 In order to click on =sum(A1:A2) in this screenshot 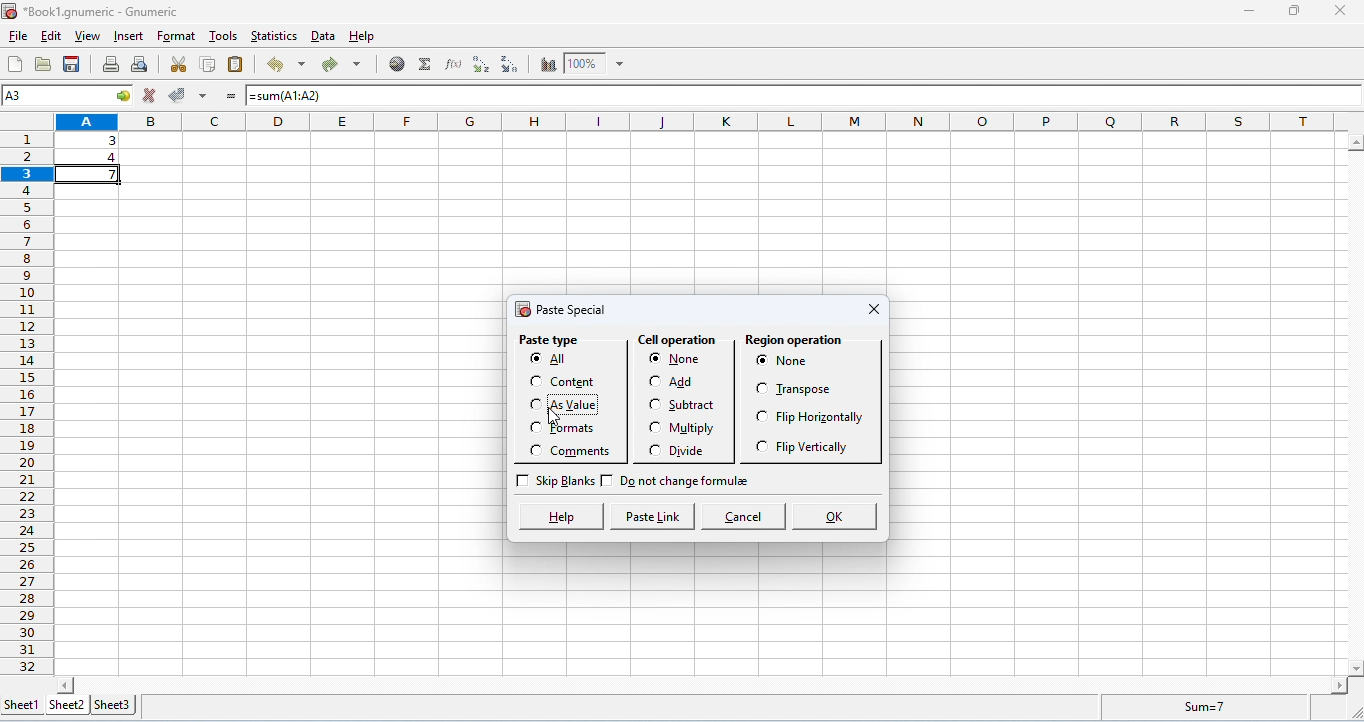, I will do `click(308, 96)`.